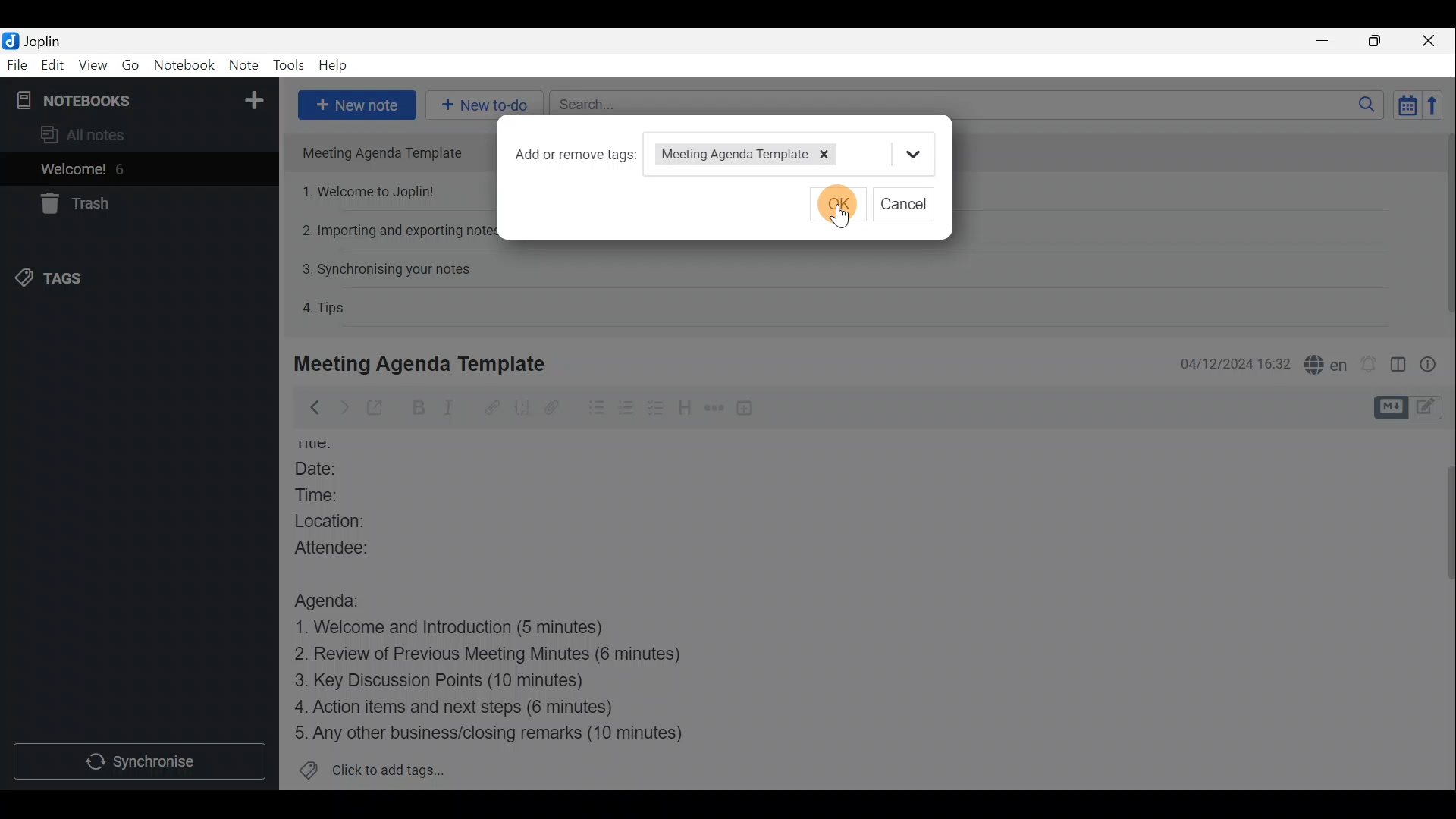  I want to click on Insert time, so click(748, 410).